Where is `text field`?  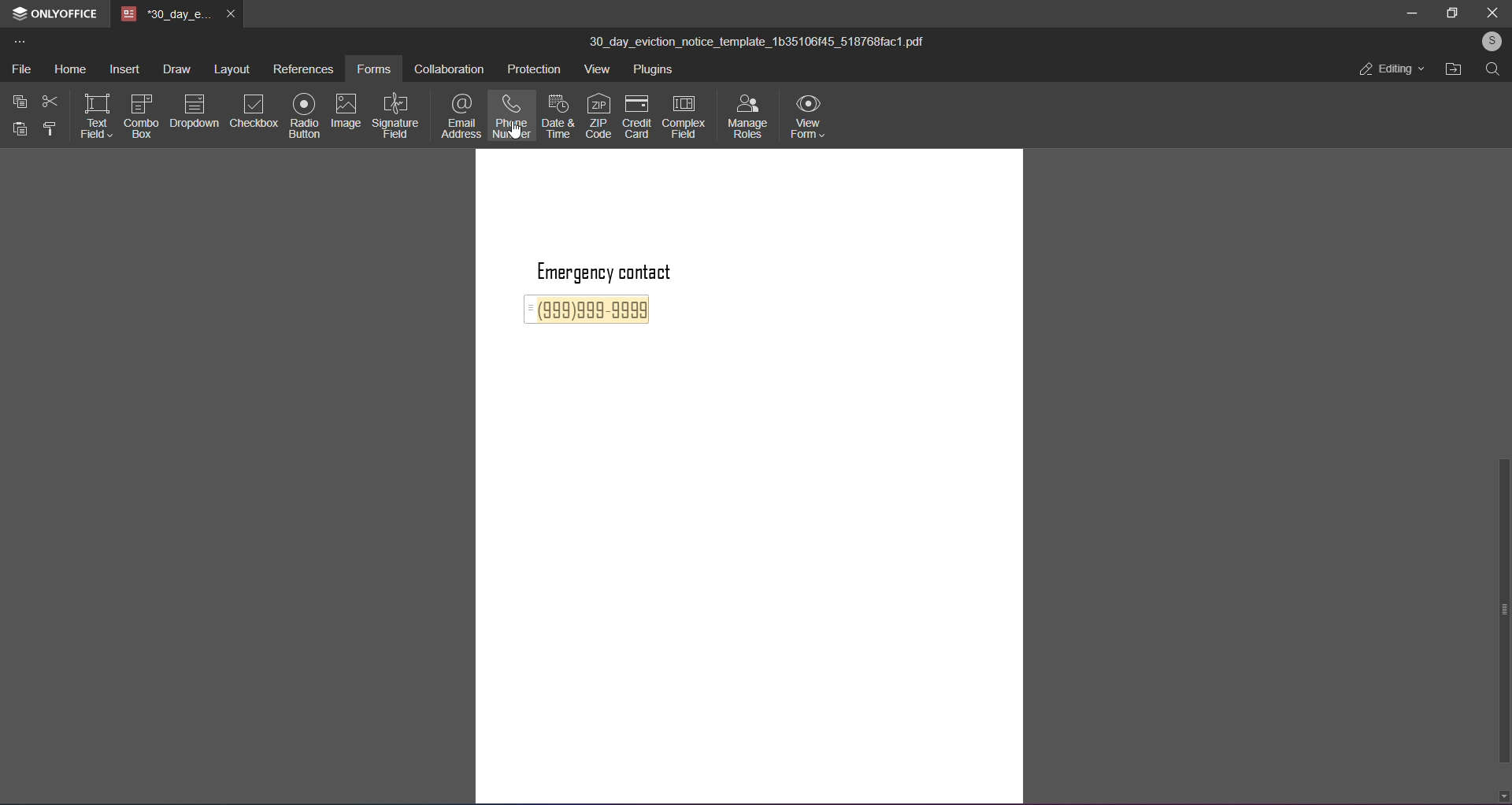 text field is located at coordinates (95, 114).